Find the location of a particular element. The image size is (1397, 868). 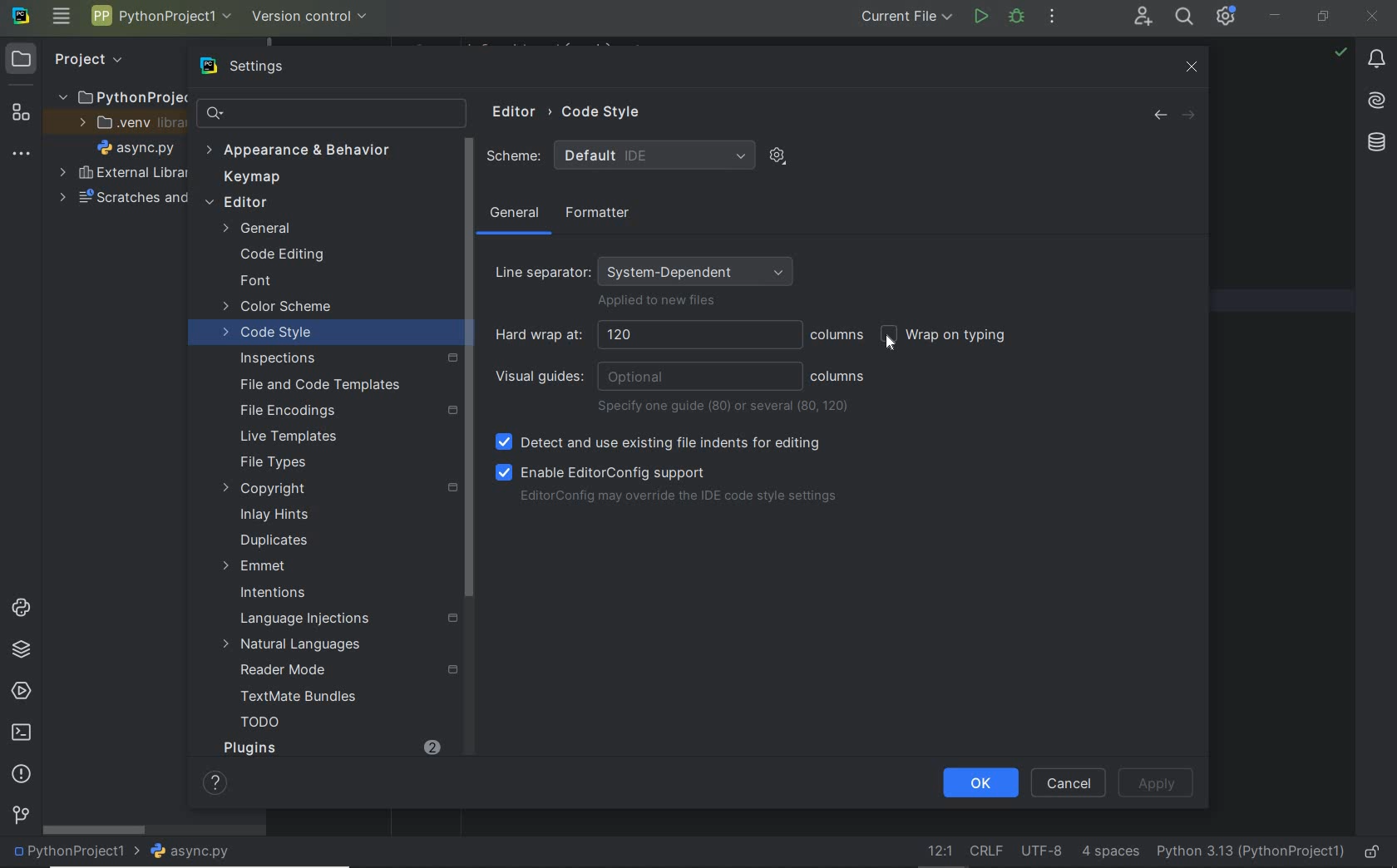

Code Style is located at coordinates (605, 111).